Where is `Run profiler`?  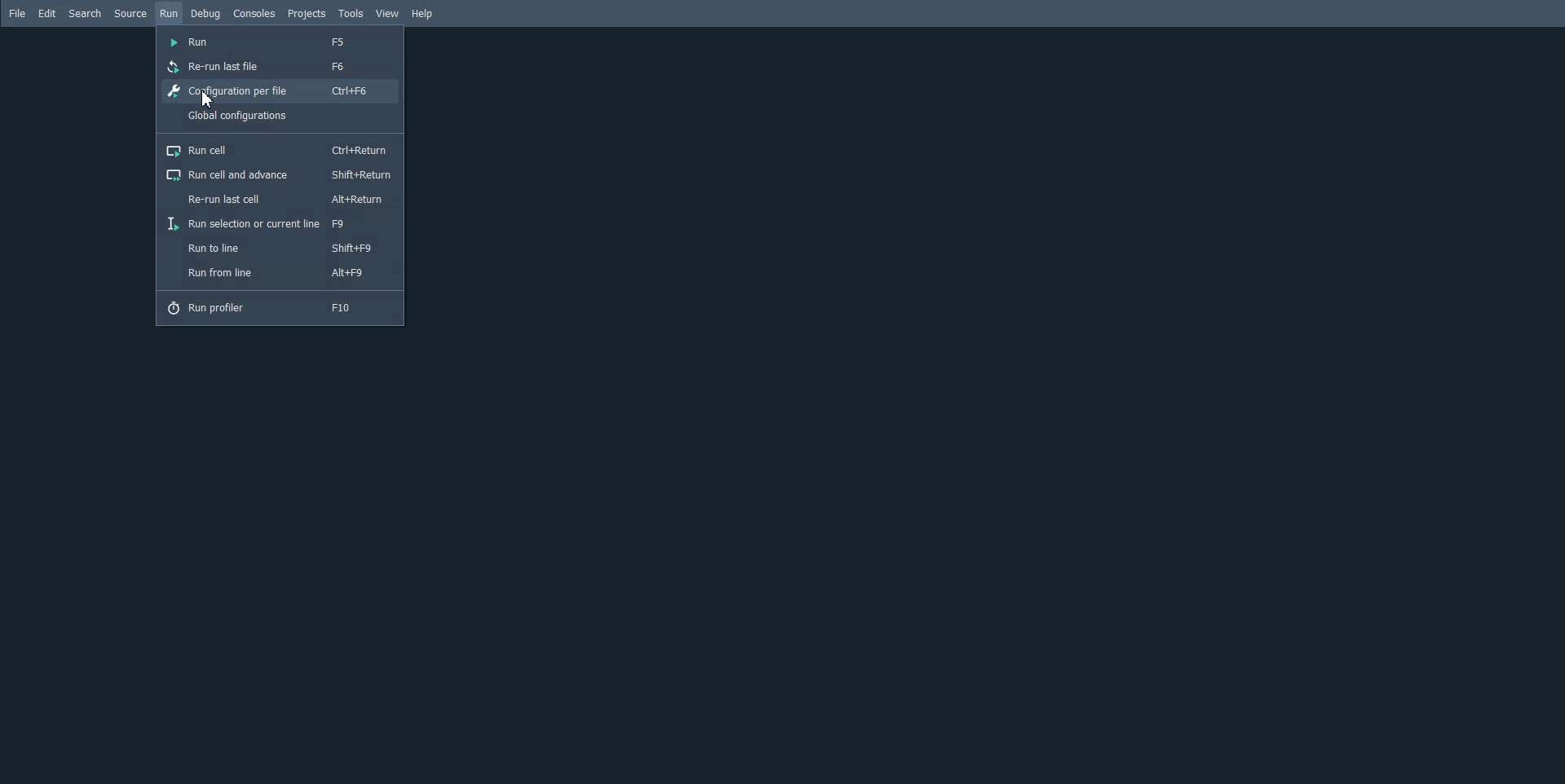 Run profiler is located at coordinates (280, 307).